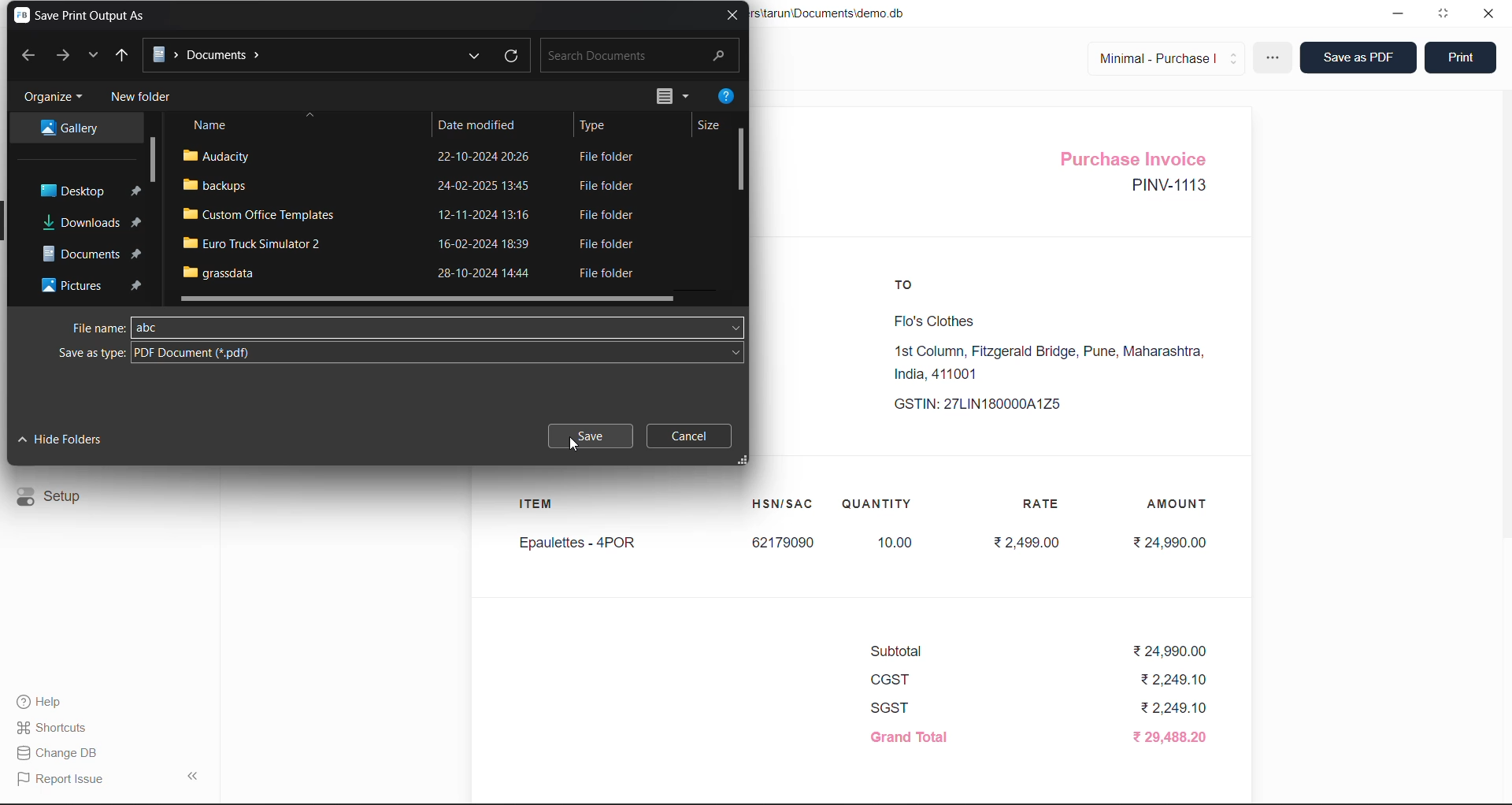 The width and height of the screenshot is (1512, 805). What do you see at coordinates (223, 185) in the screenshot?
I see `backups` at bounding box center [223, 185].